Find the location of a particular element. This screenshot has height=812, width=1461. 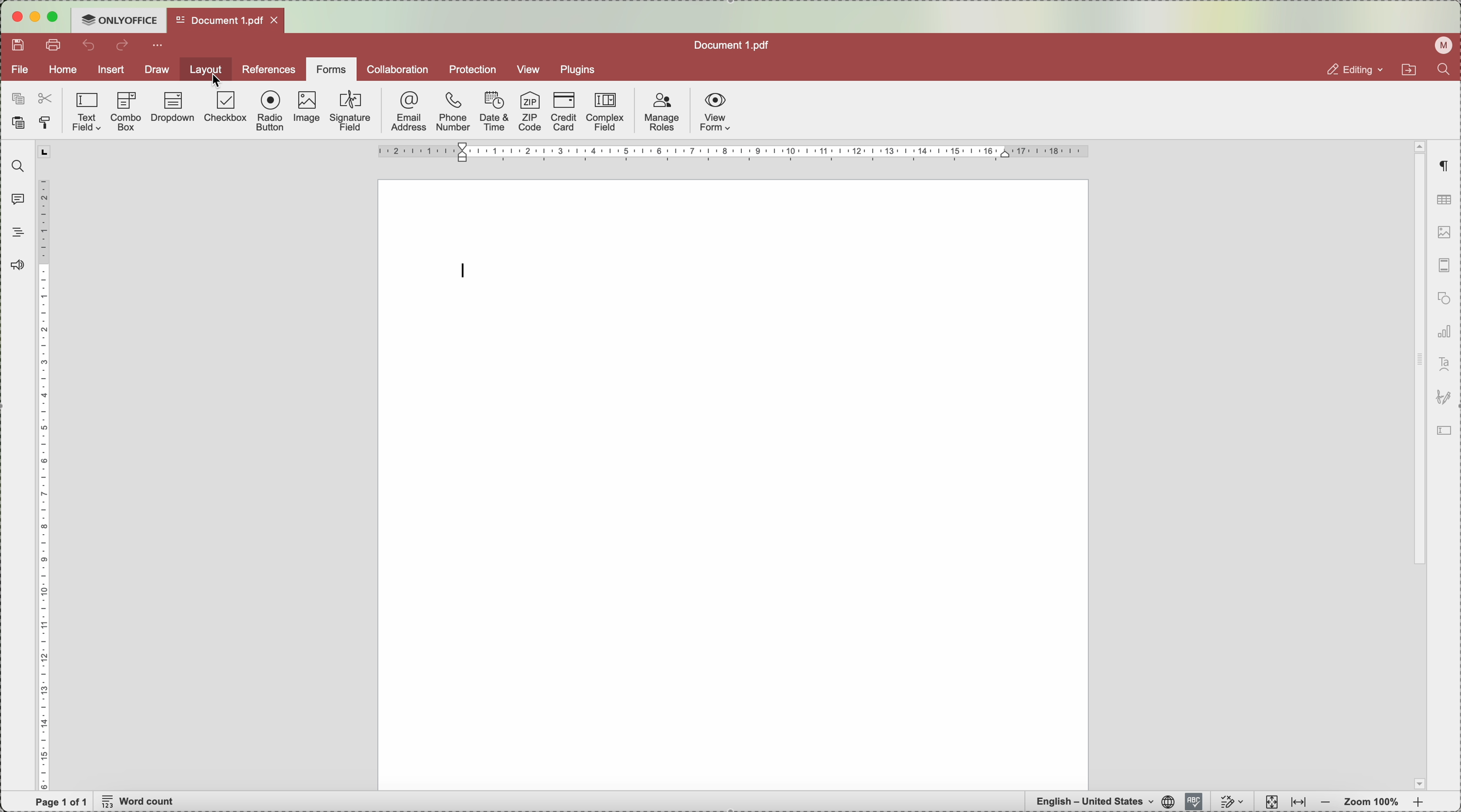

paste is located at coordinates (18, 125).